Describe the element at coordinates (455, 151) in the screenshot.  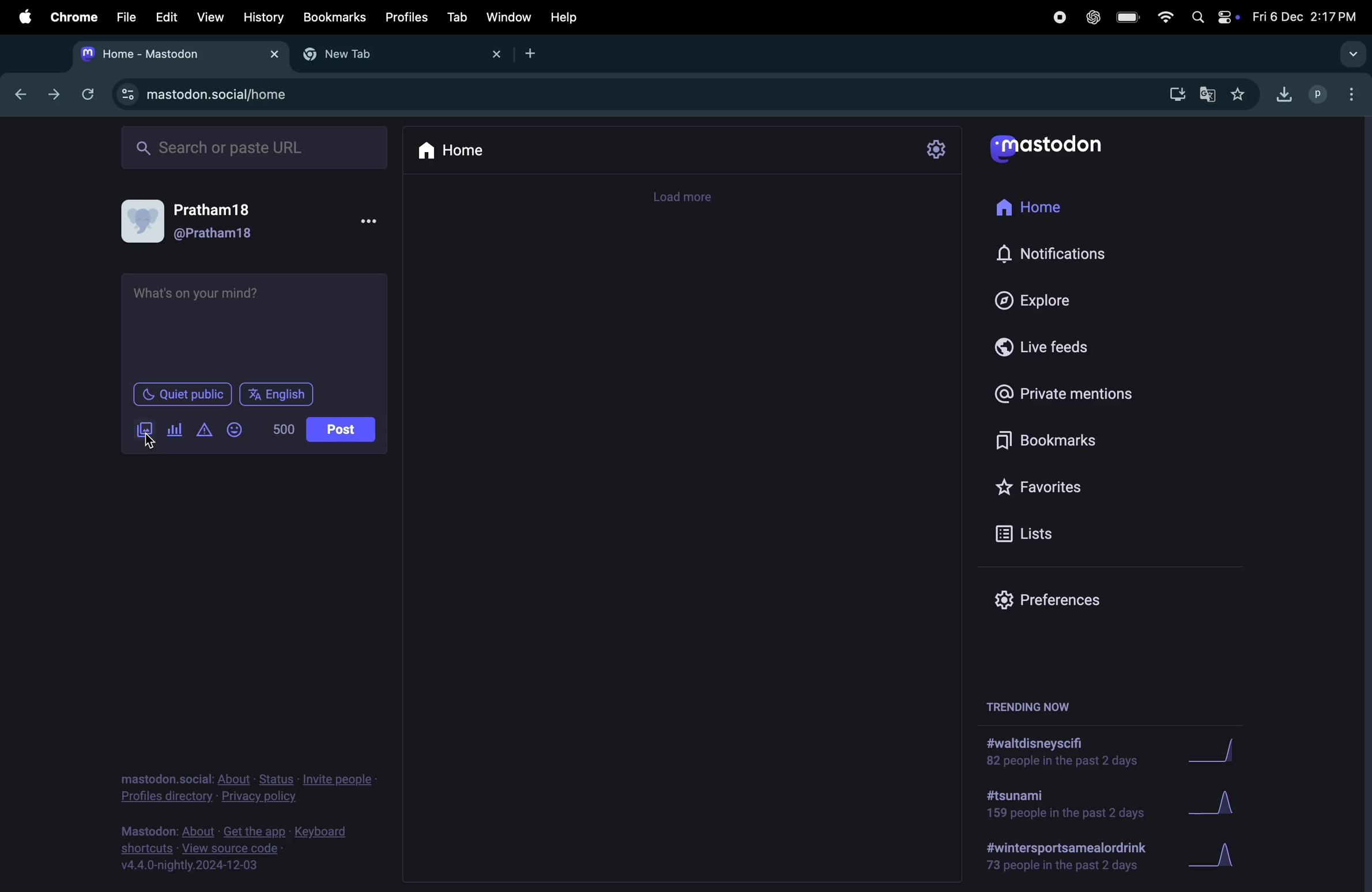
I see `home` at that location.